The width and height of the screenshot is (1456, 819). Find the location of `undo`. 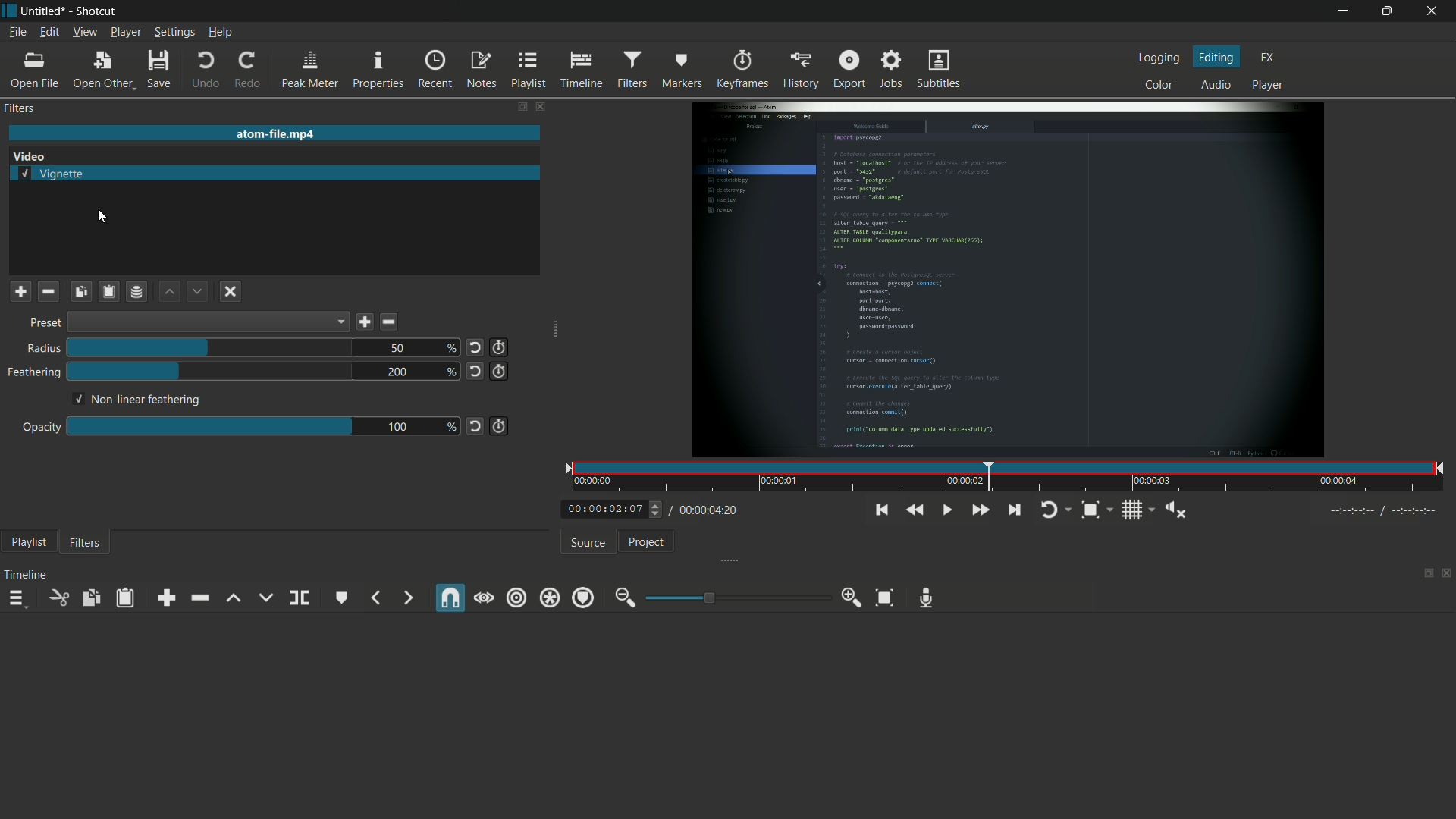

undo is located at coordinates (206, 70).